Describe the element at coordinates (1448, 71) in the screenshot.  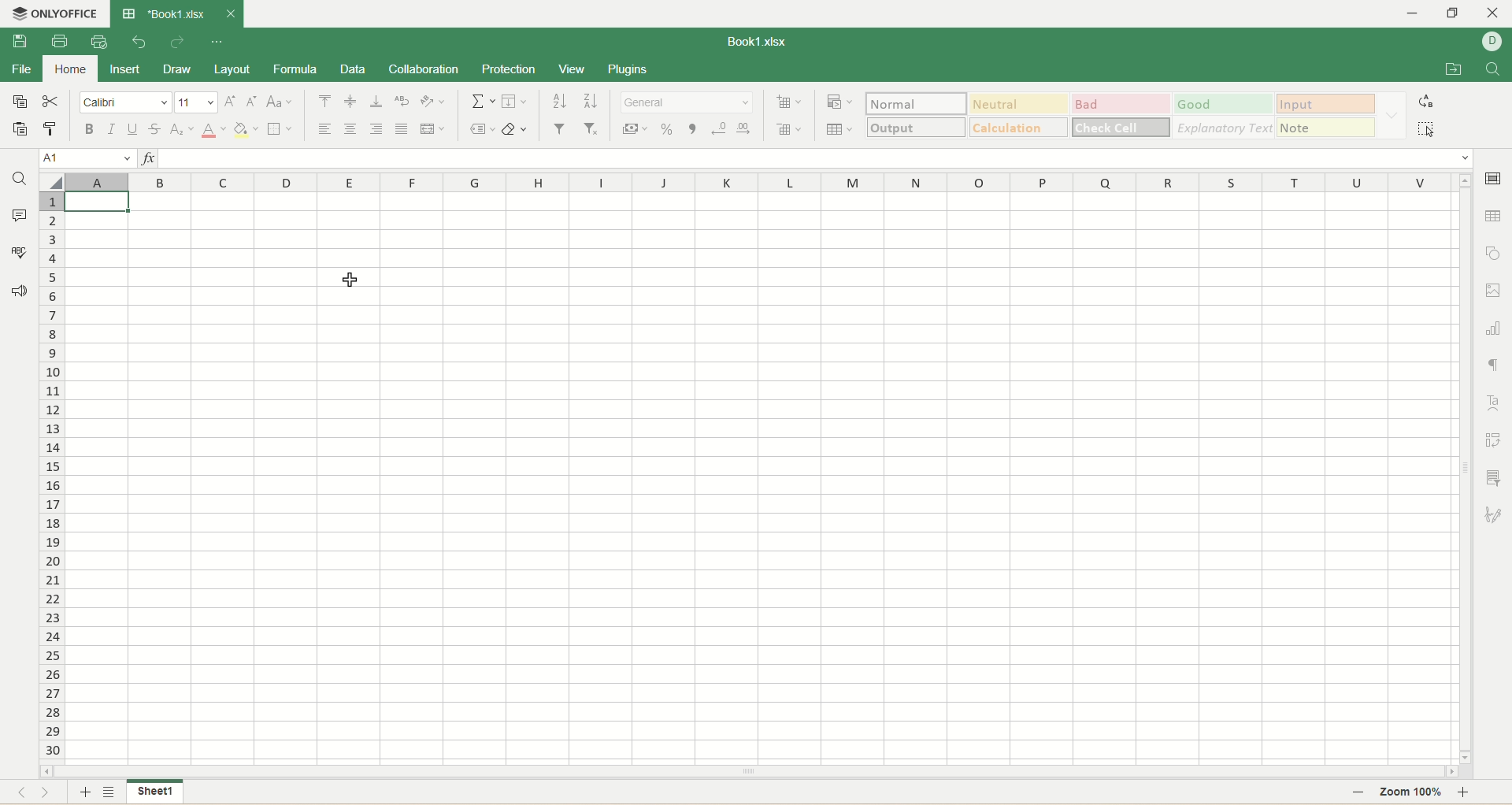
I see `open file location` at that location.